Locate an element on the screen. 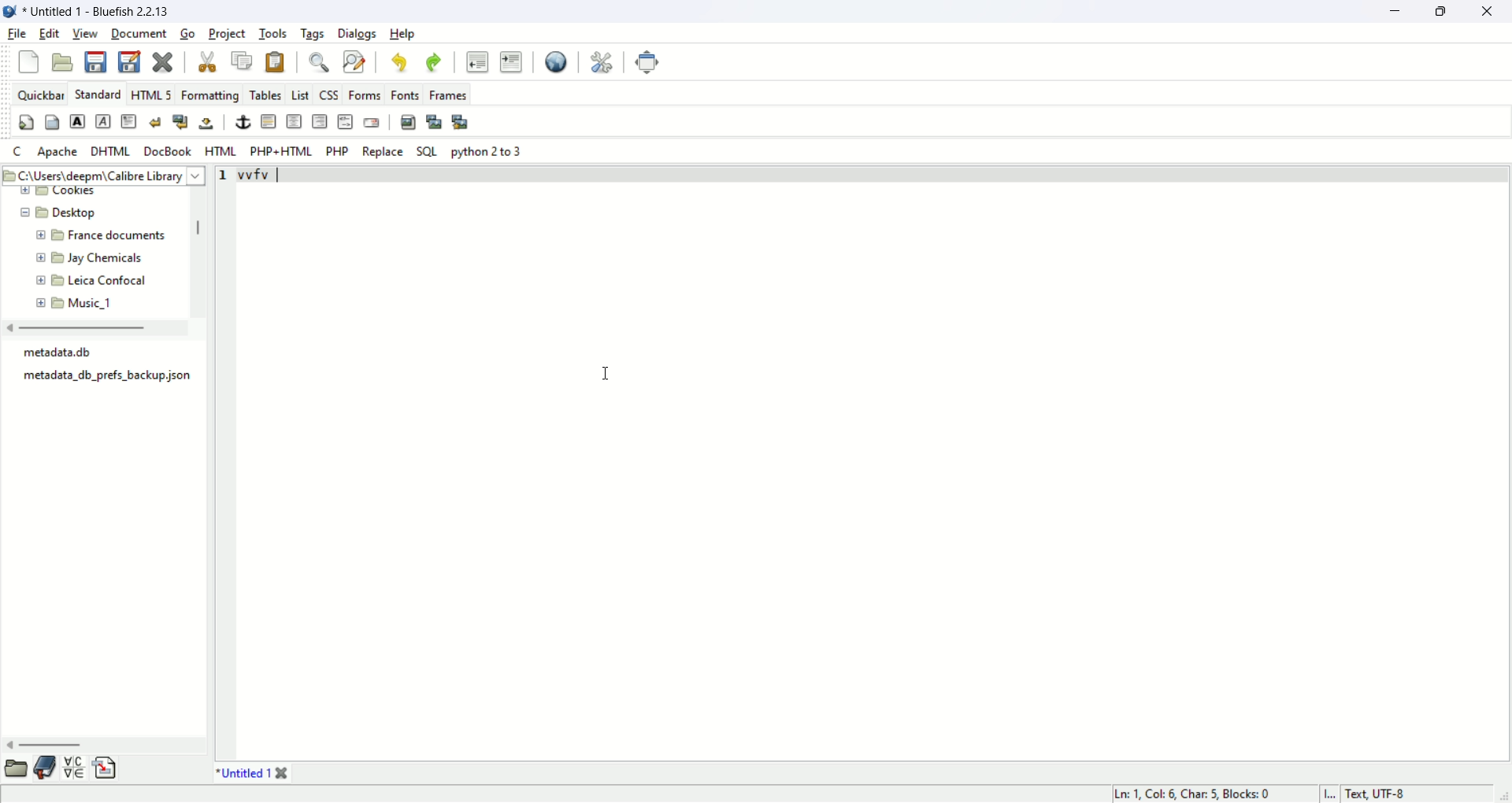 The height and width of the screenshot is (803, 1512). close is located at coordinates (1492, 11).